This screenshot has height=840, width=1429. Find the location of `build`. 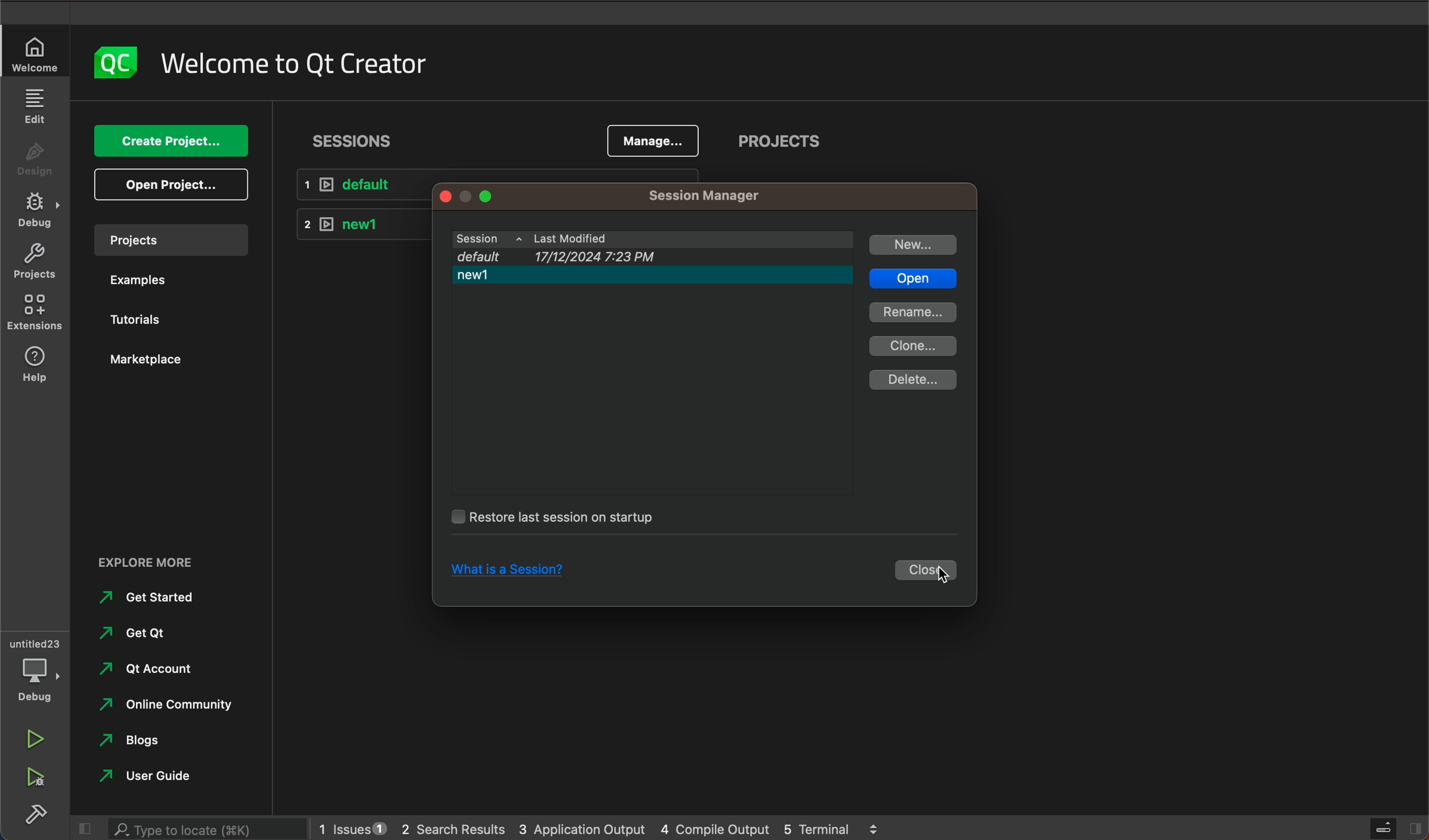

build is located at coordinates (34, 812).